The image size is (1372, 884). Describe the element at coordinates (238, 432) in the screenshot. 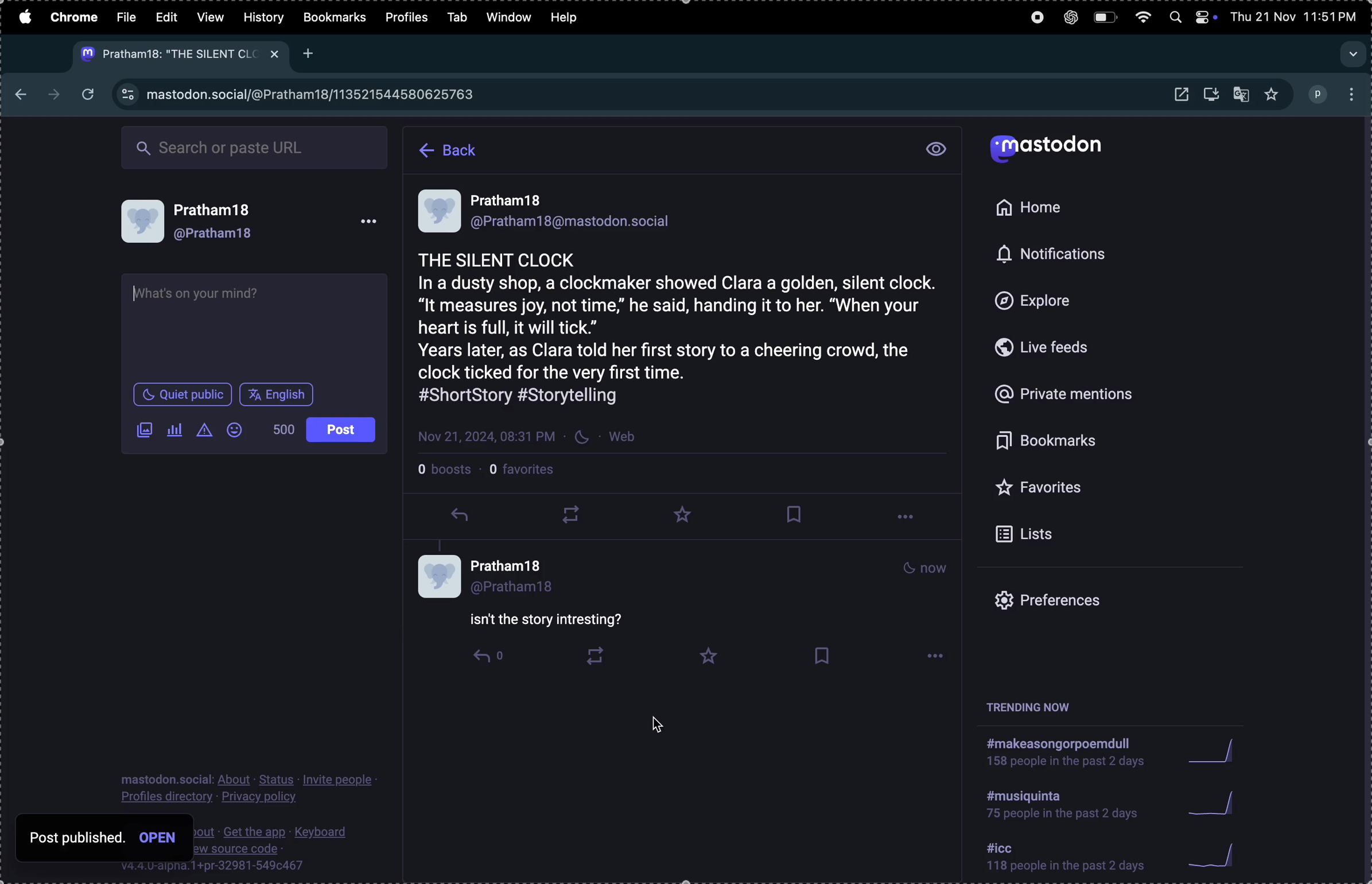

I see `add emoji` at that location.